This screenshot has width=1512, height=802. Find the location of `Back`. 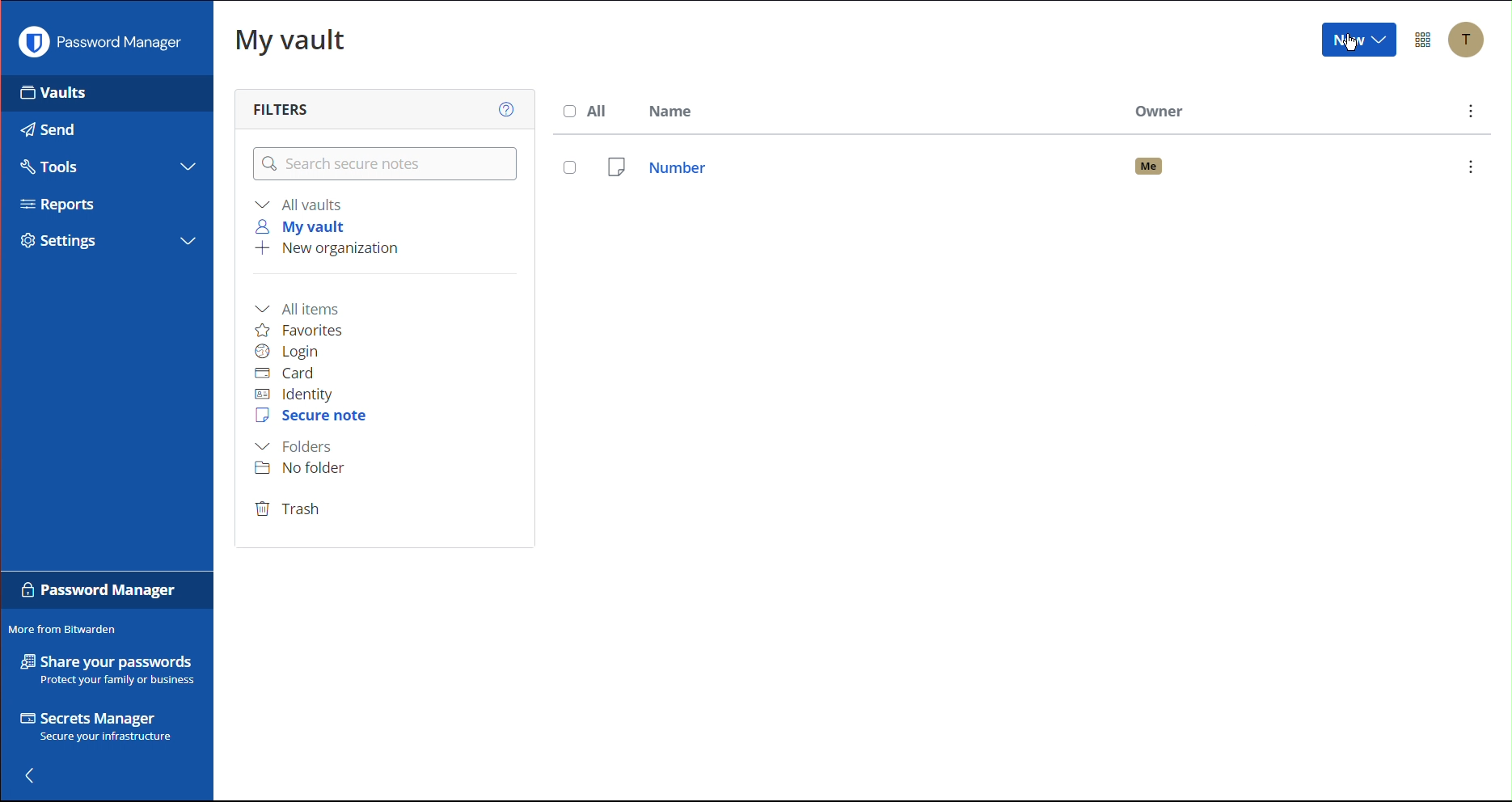

Back is located at coordinates (41, 775).